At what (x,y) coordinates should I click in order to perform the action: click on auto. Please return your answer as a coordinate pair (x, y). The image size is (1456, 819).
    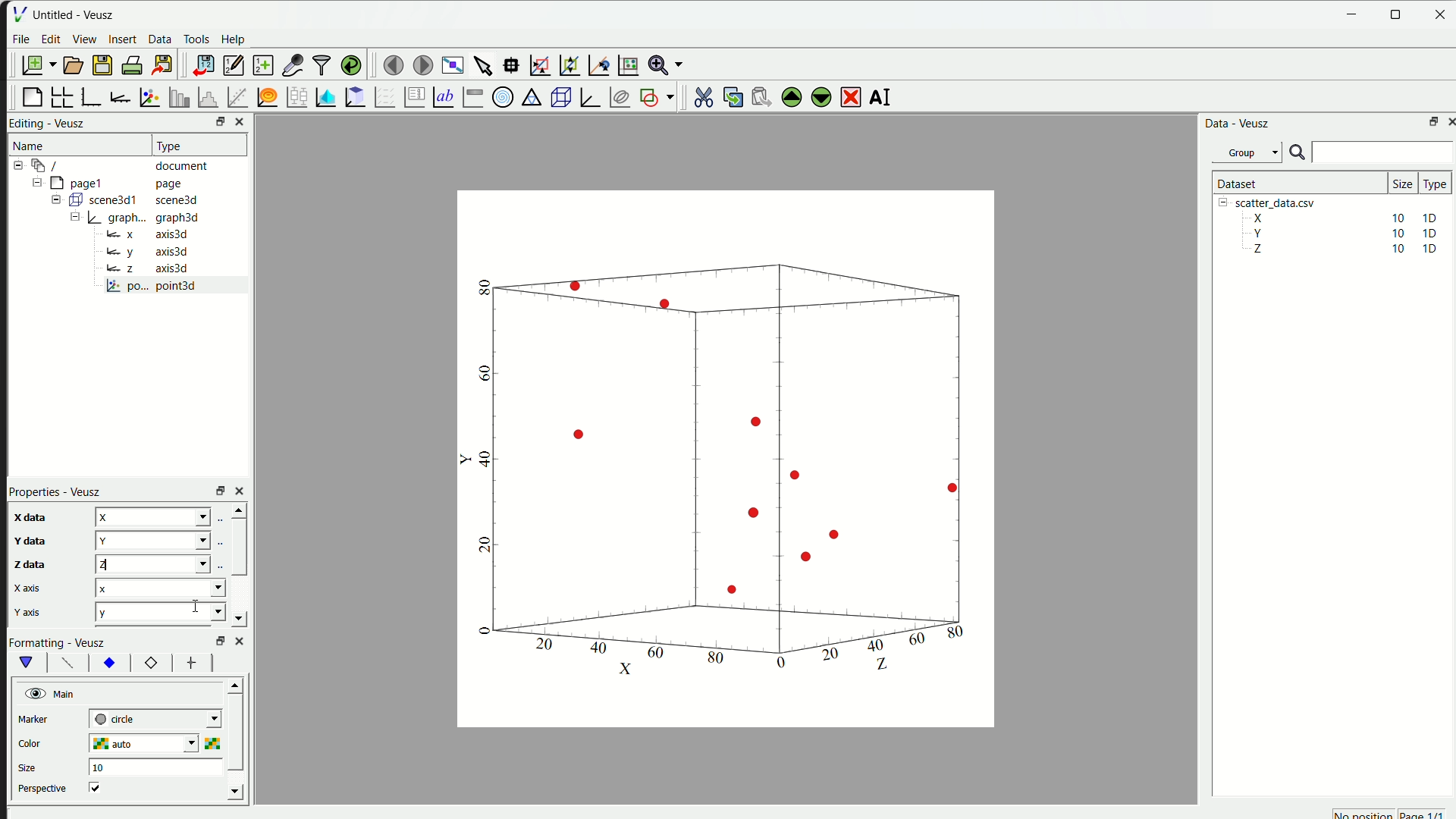
    Looking at the image, I should click on (158, 745).